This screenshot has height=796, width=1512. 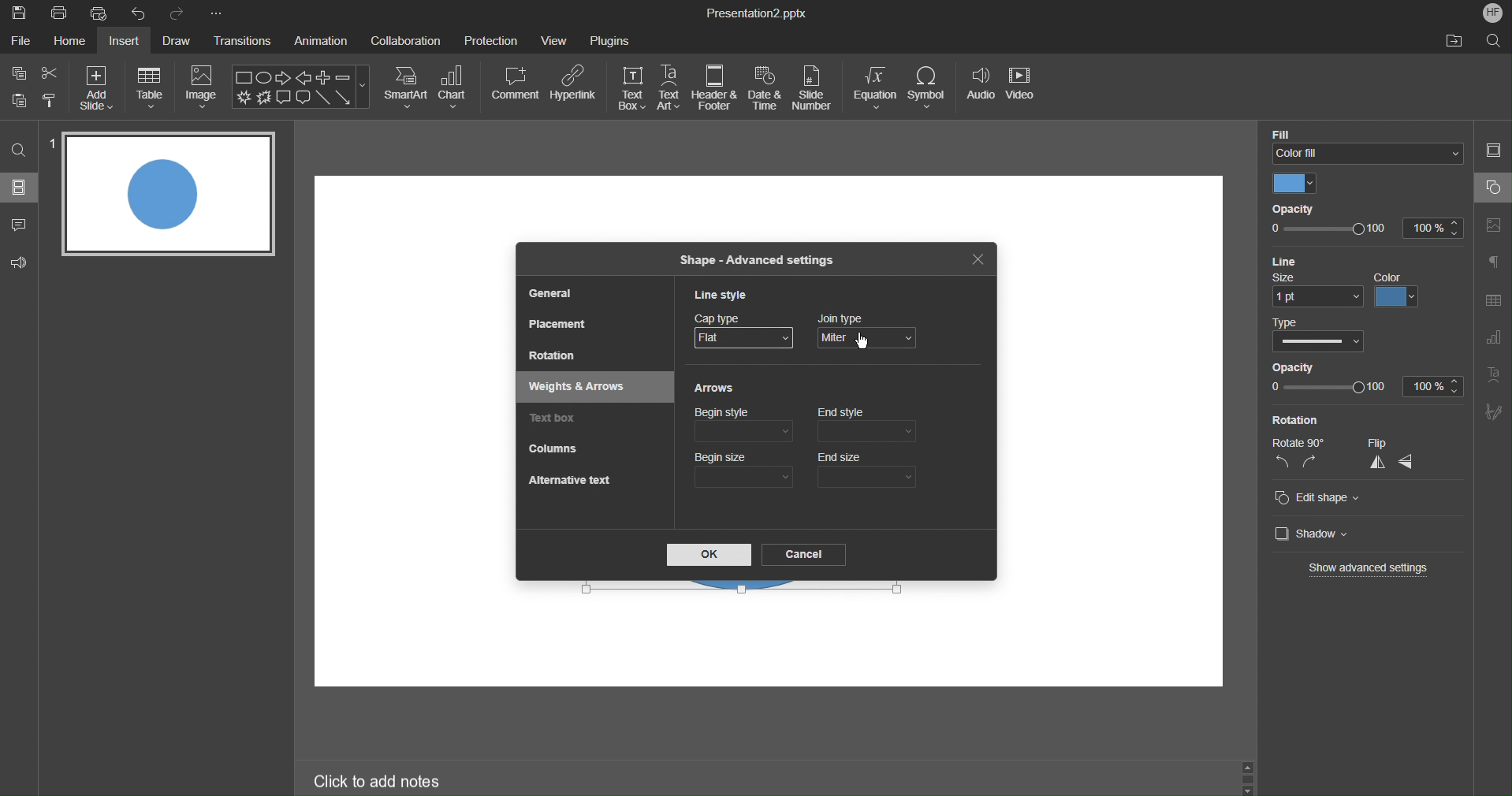 What do you see at coordinates (1289, 259) in the screenshot?
I see `Line` at bounding box center [1289, 259].